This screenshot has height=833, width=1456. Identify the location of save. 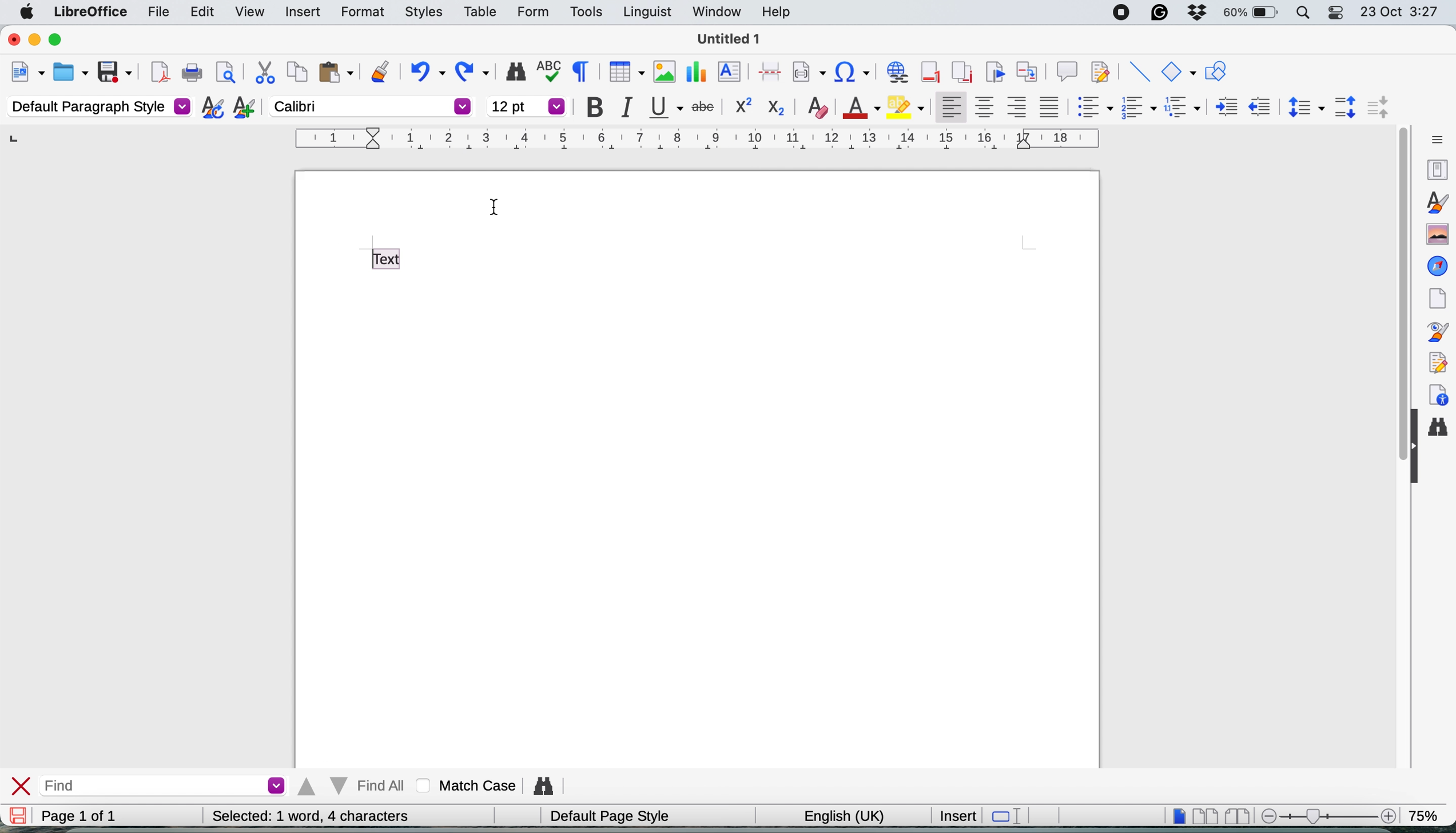
(19, 815).